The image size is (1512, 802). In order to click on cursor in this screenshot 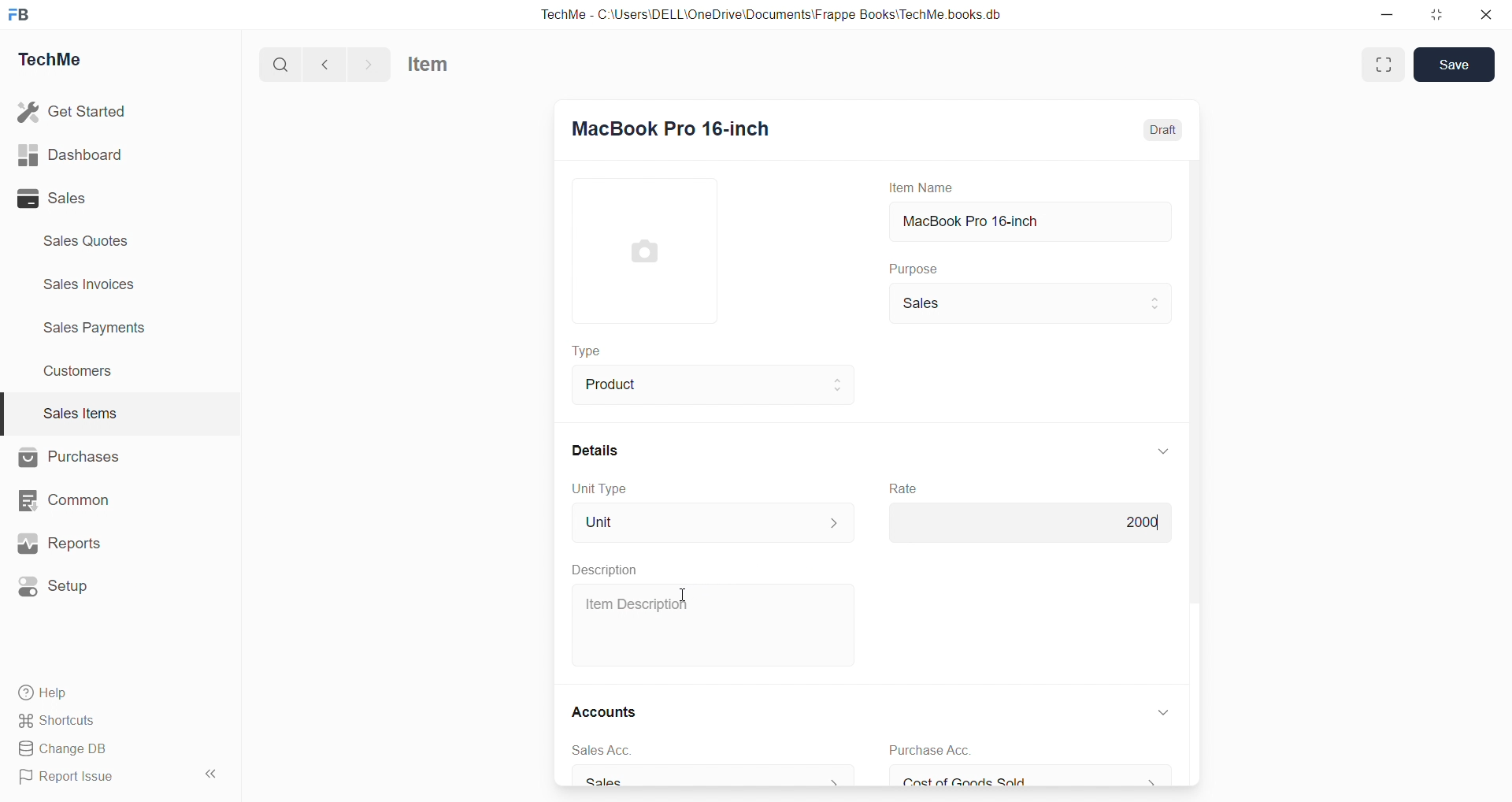, I will do `click(680, 595)`.